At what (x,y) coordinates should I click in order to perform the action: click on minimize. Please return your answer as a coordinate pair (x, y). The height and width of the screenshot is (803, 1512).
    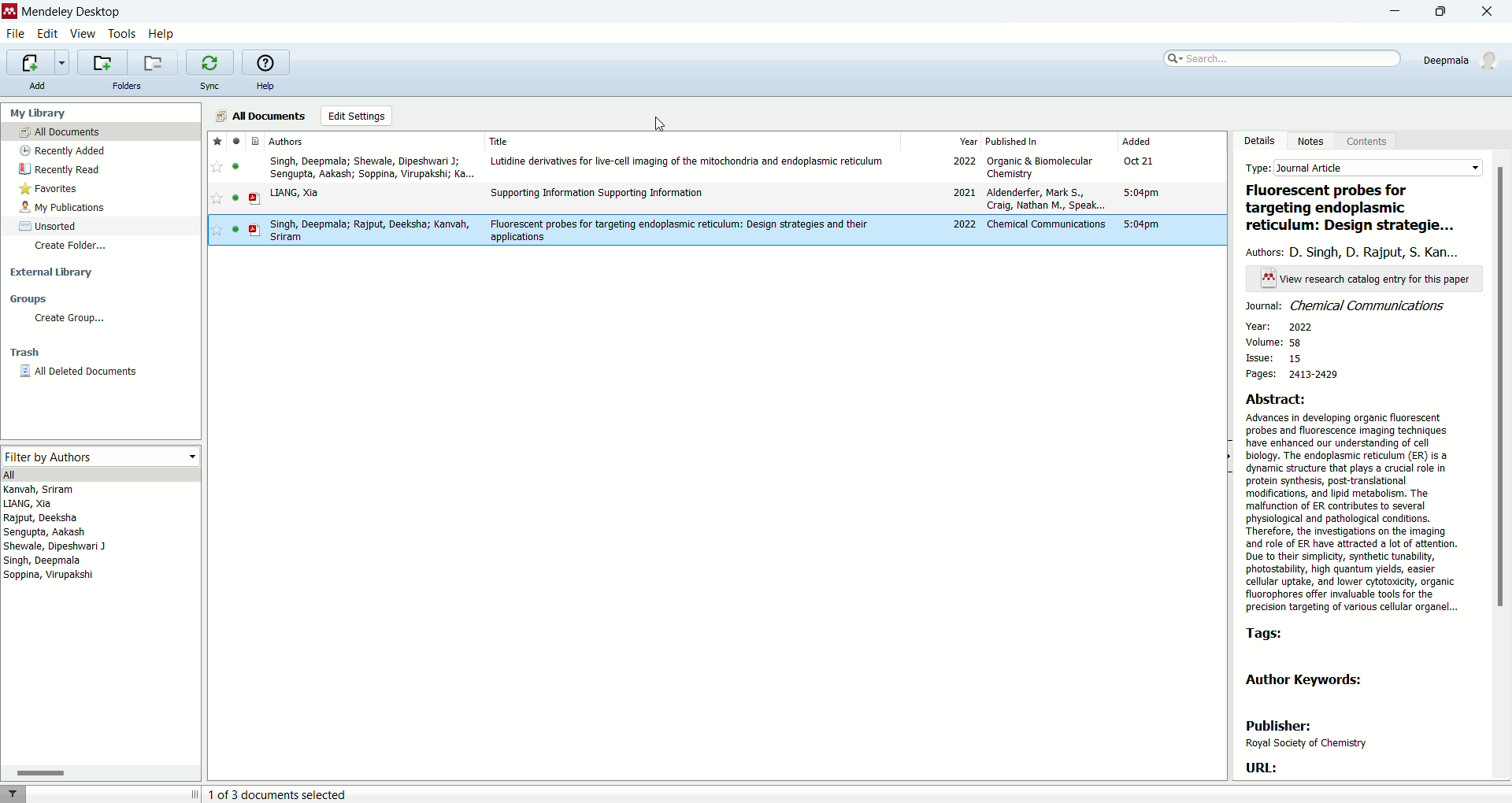
    Looking at the image, I should click on (1392, 12).